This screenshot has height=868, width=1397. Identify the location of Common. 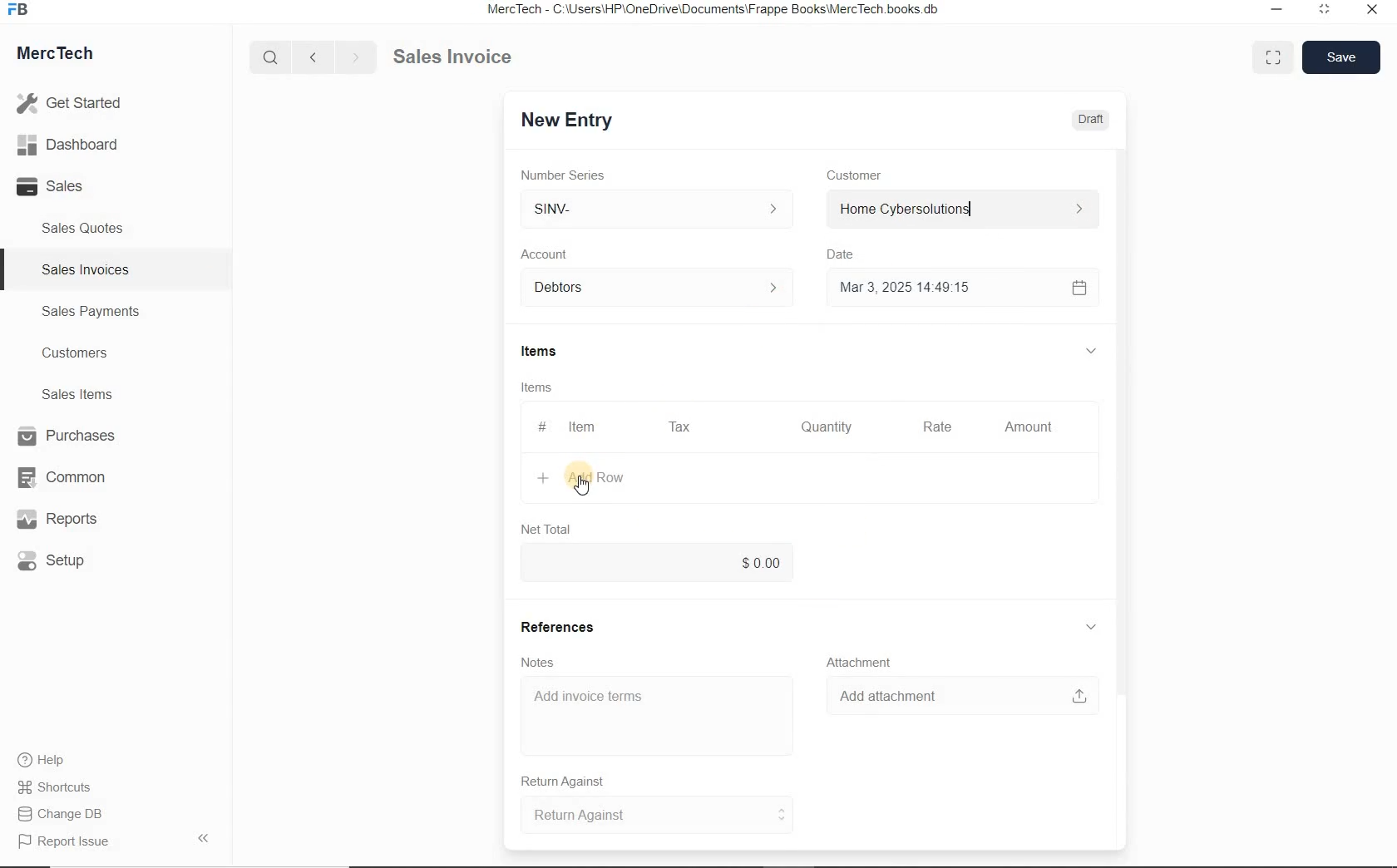
(69, 476).